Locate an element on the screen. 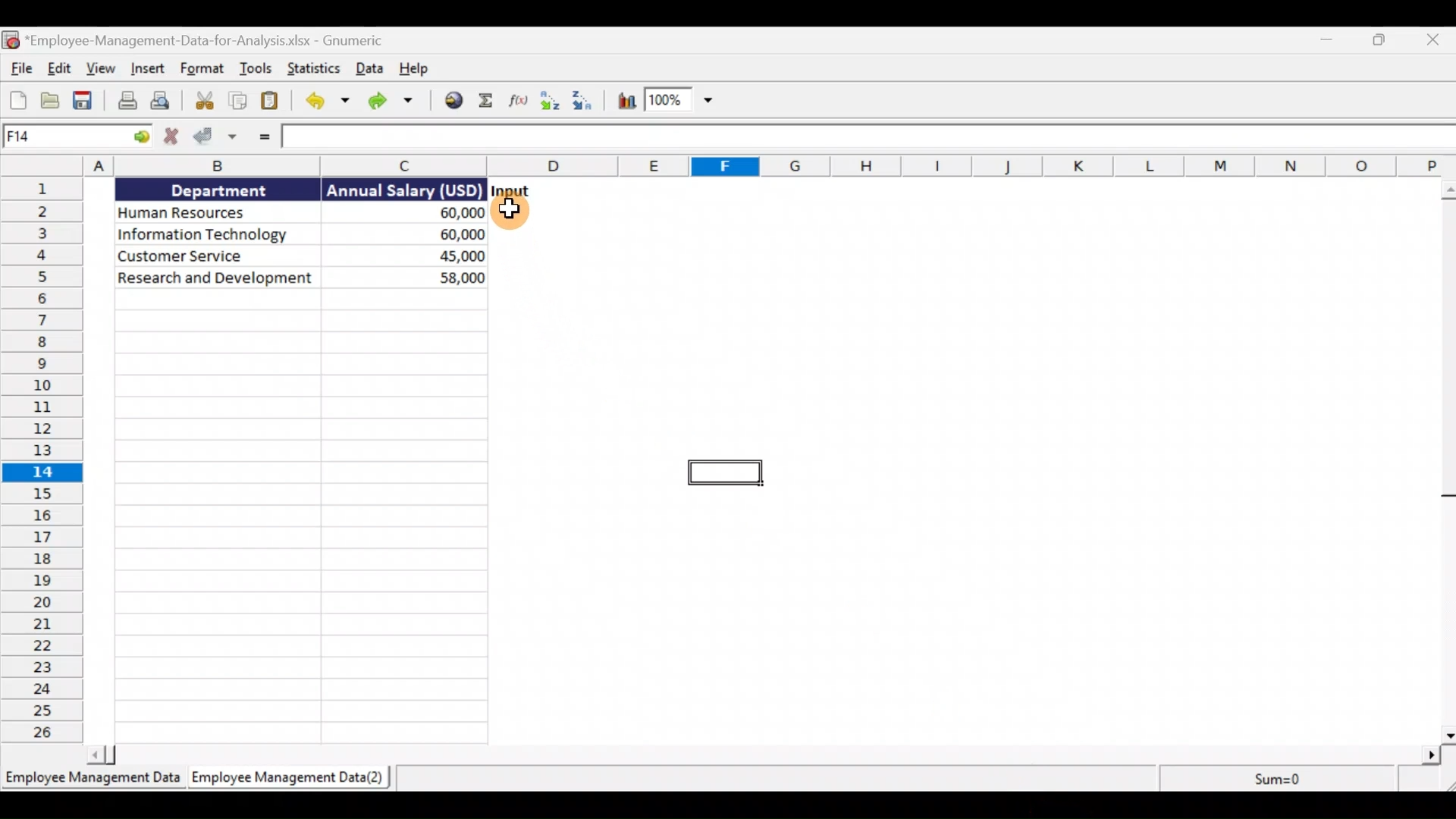 Image resolution: width=1456 pixels, height=819 pixels. Sheet 2 is located at coordinates (288, 779).